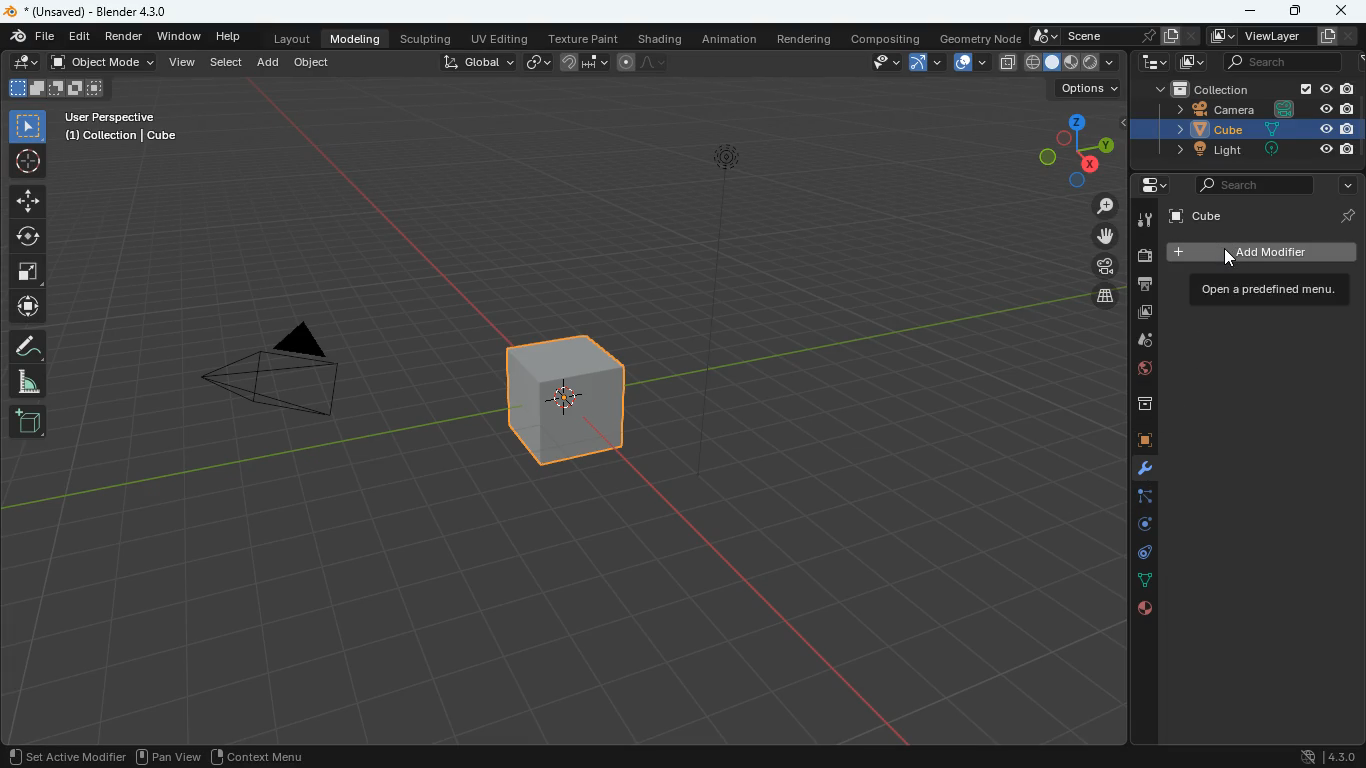  I want to click on tech, so click(1151, 63).